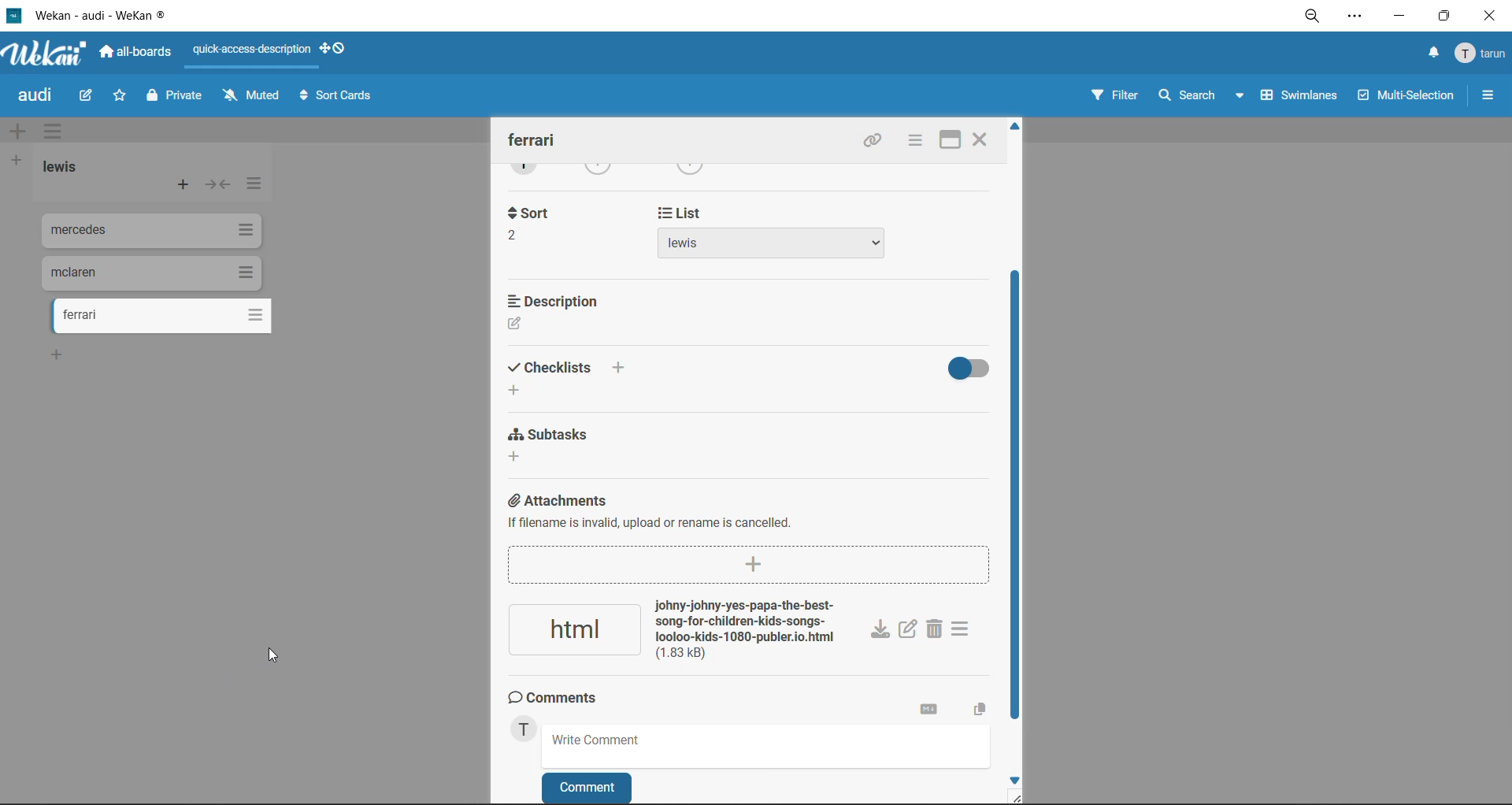 This screenshot has width=1512, height=805. What do you see at coordinates (258, 187) in the screenshot?
I see `list actions` at bounding box center [258, 187].